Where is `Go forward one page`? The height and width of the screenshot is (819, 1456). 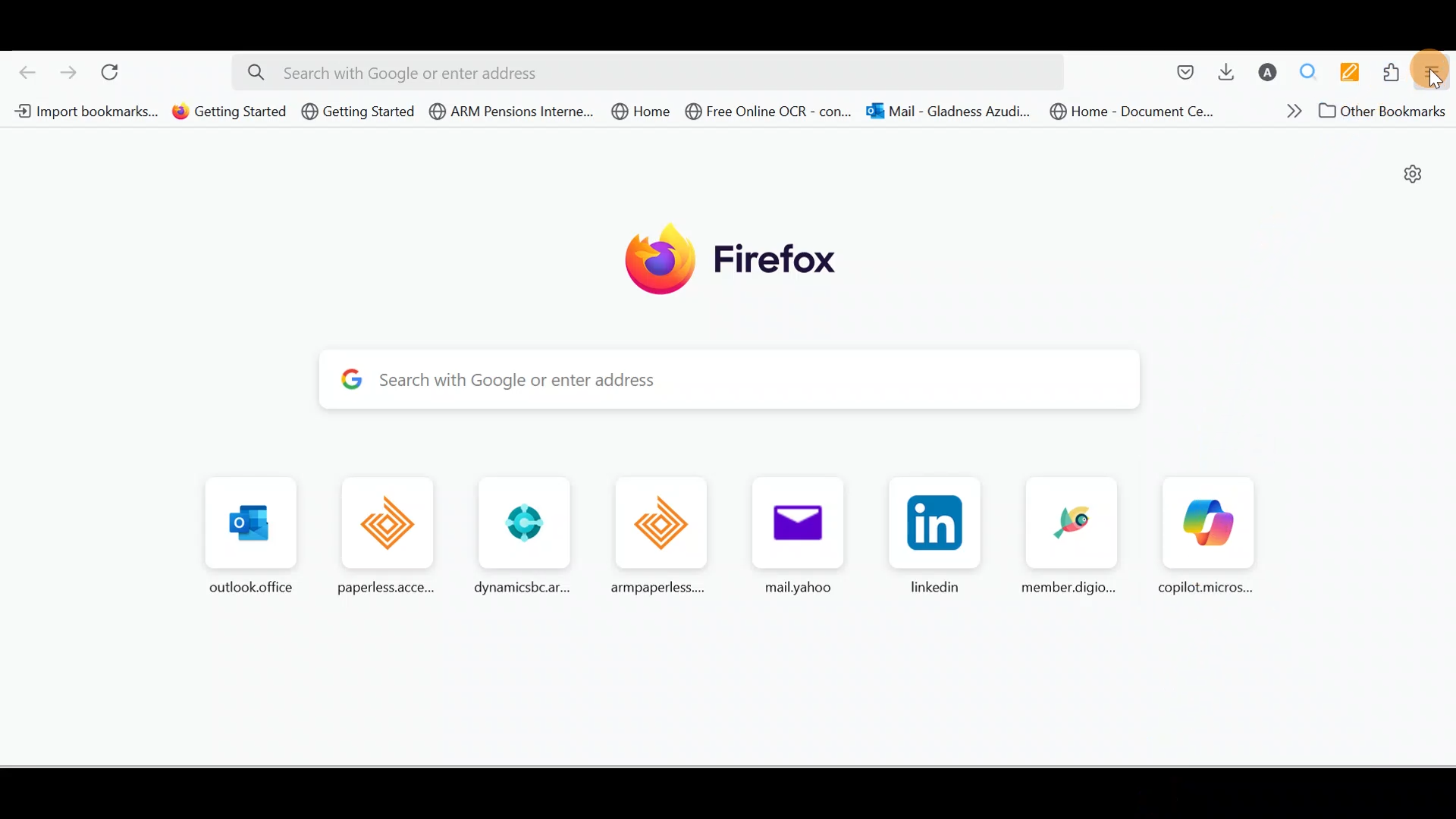
Go forward one page is located at coordinates (66, 71).